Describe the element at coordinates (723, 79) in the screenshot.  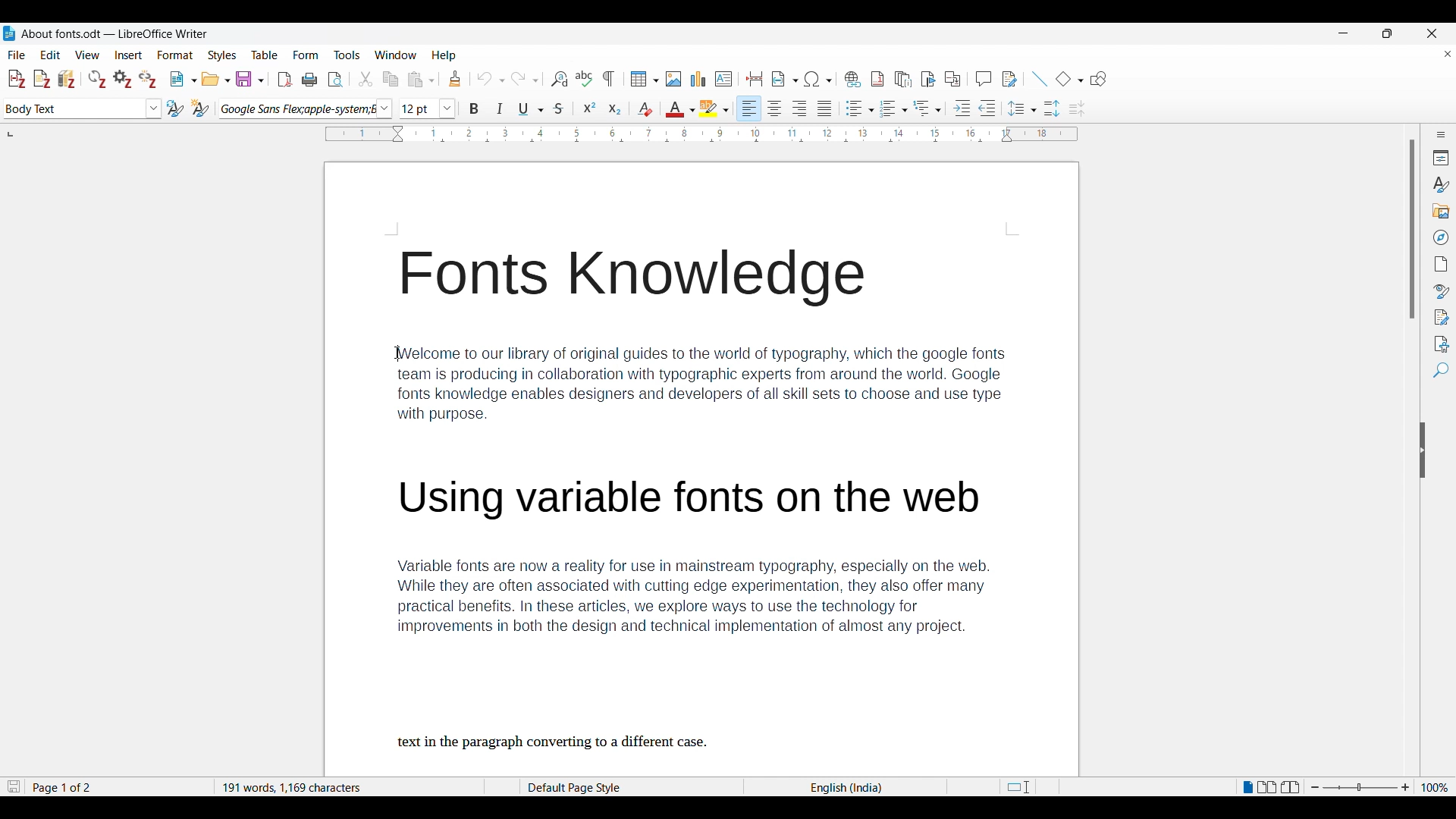
I see `Insert text box` at that location.